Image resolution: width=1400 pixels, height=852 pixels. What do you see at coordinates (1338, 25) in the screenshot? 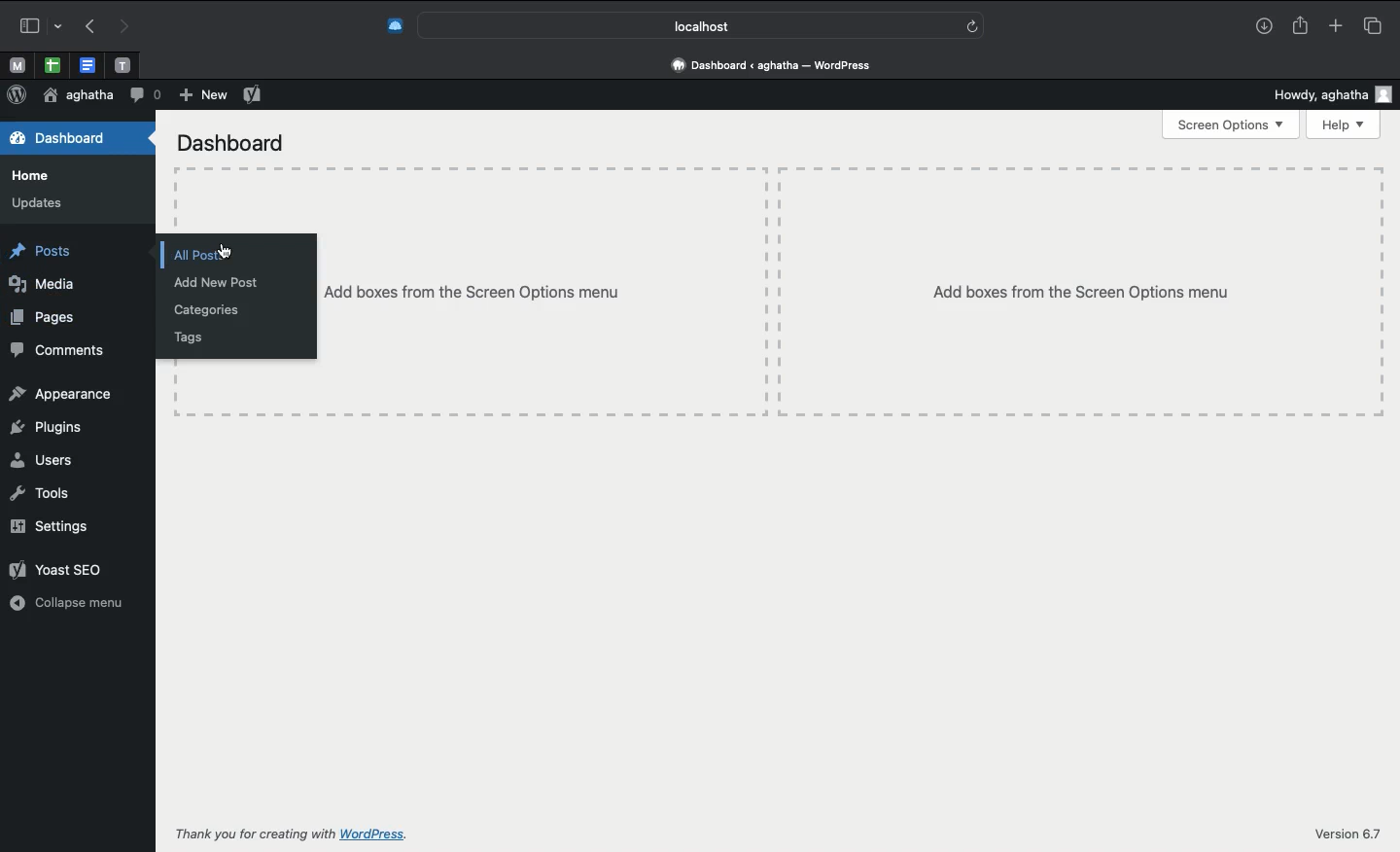
I see `Add new tab` at bounding box center [1338, 25].